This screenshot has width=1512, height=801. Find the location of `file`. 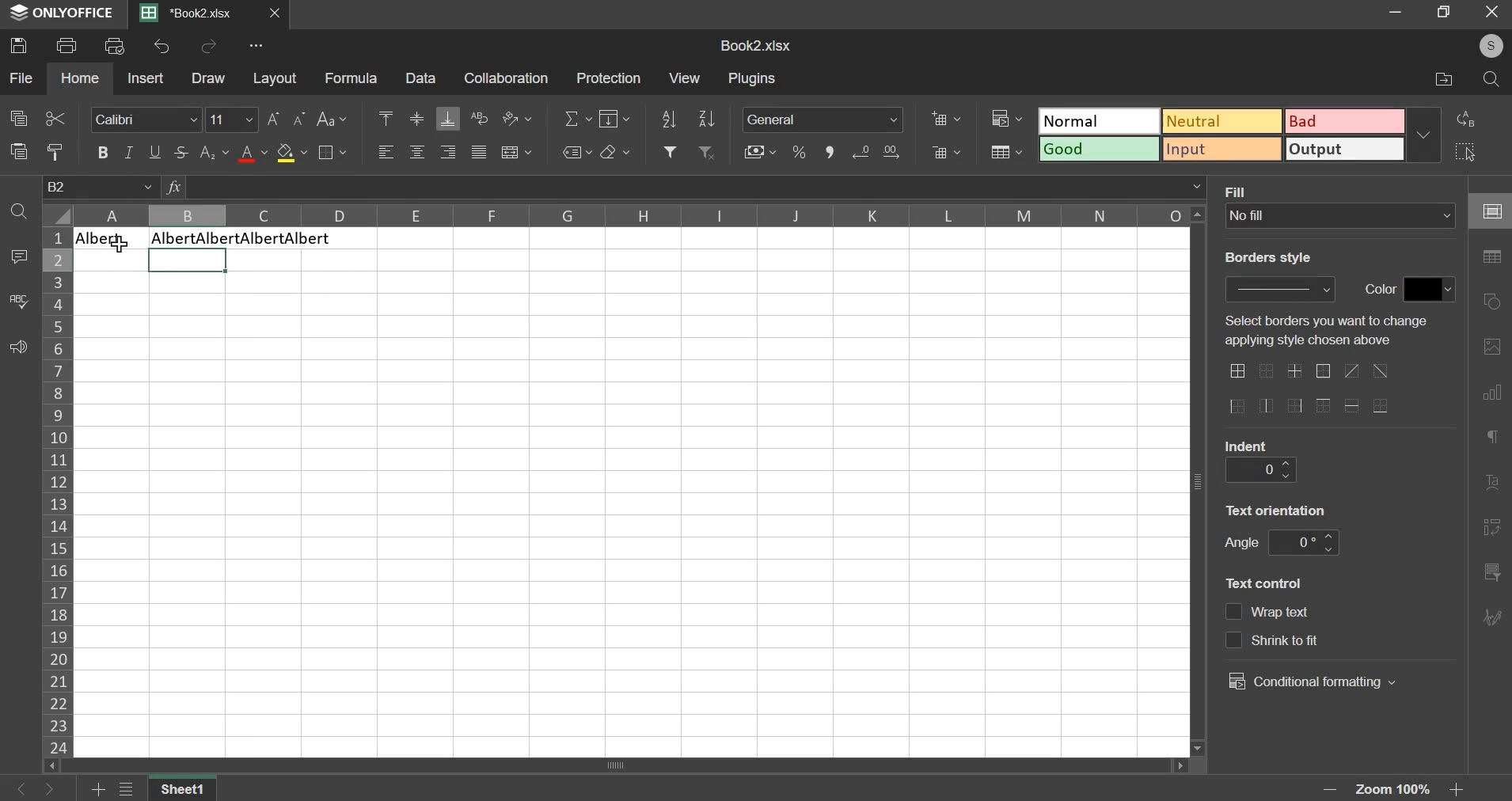

file is located at coordinates (21, 77).